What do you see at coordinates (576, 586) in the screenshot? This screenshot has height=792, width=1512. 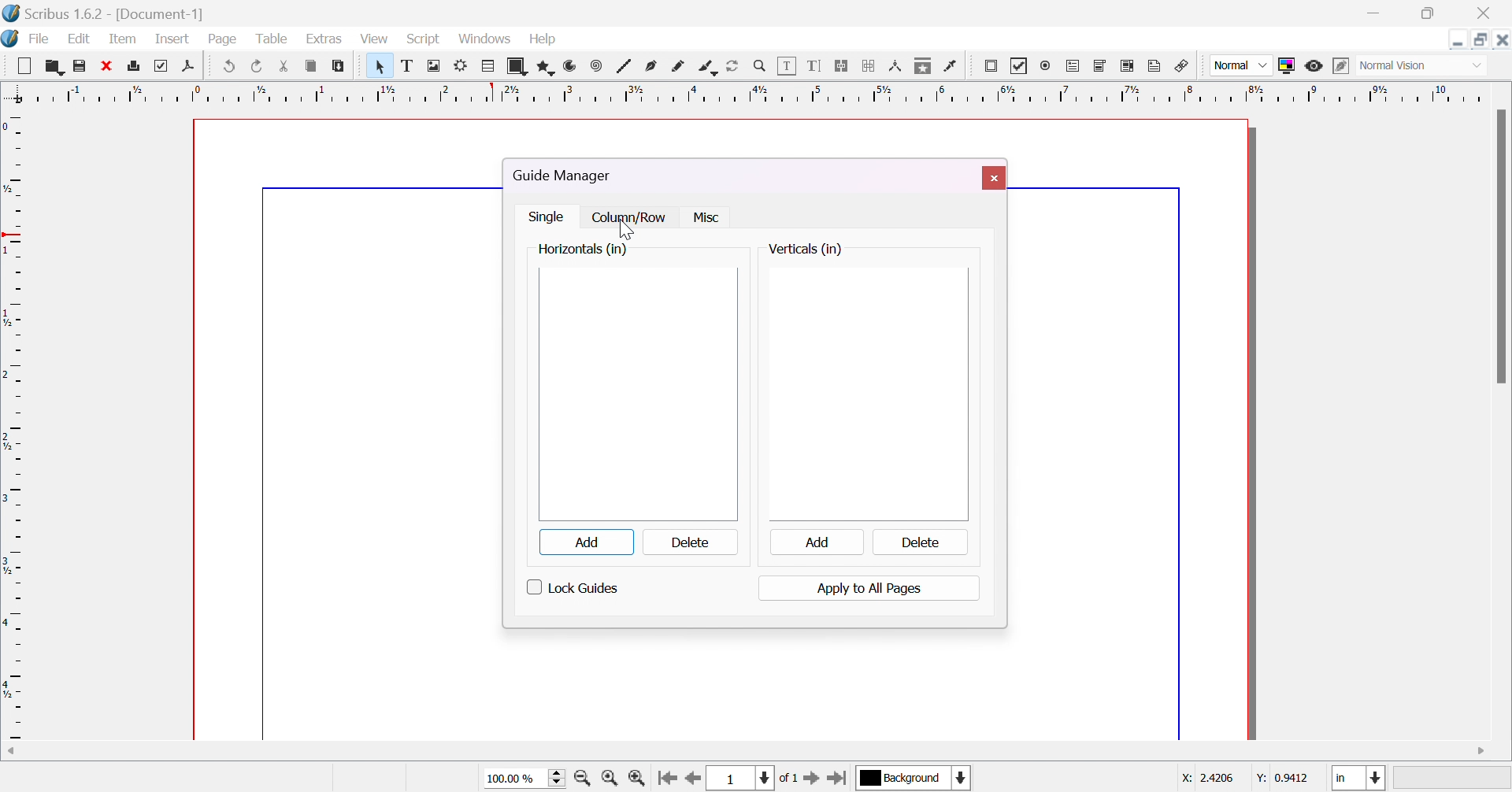 I see `look guides` at bounding box center [576, 586].